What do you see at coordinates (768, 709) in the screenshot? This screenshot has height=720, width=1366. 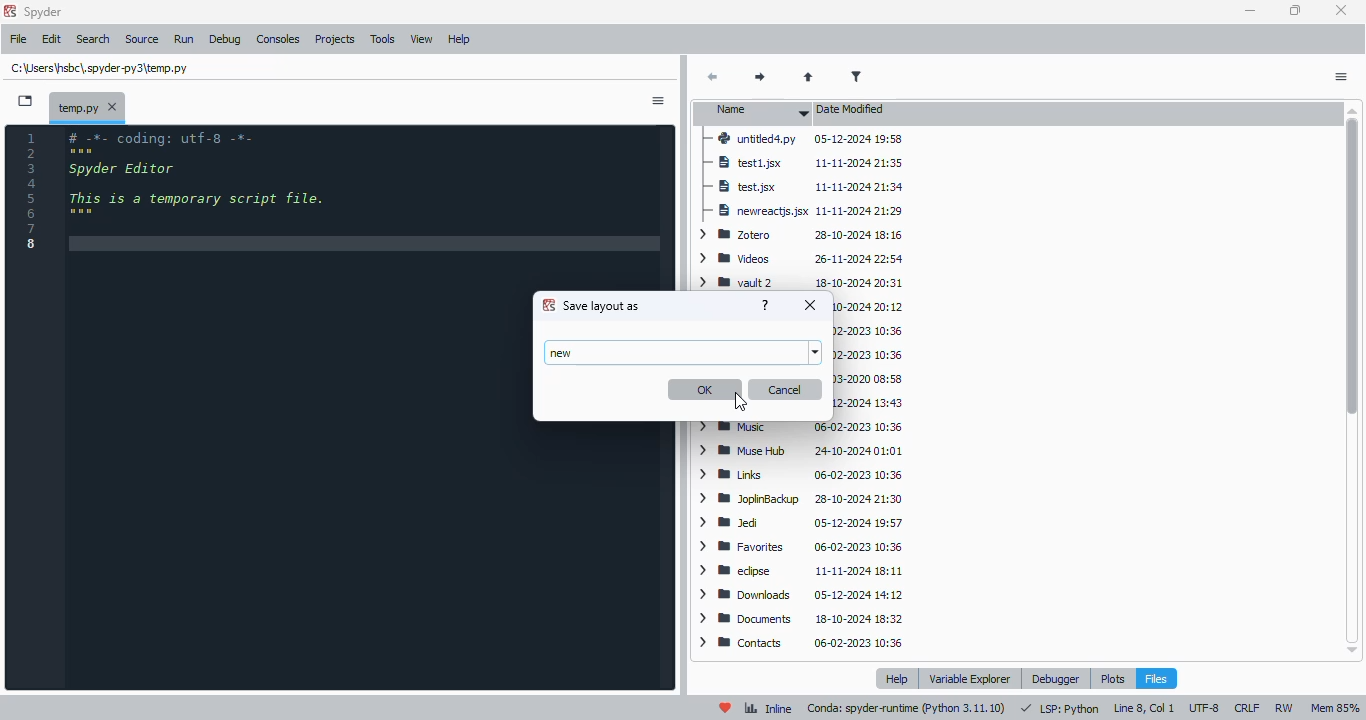 I see `inline` at bounding box center [768, 709].